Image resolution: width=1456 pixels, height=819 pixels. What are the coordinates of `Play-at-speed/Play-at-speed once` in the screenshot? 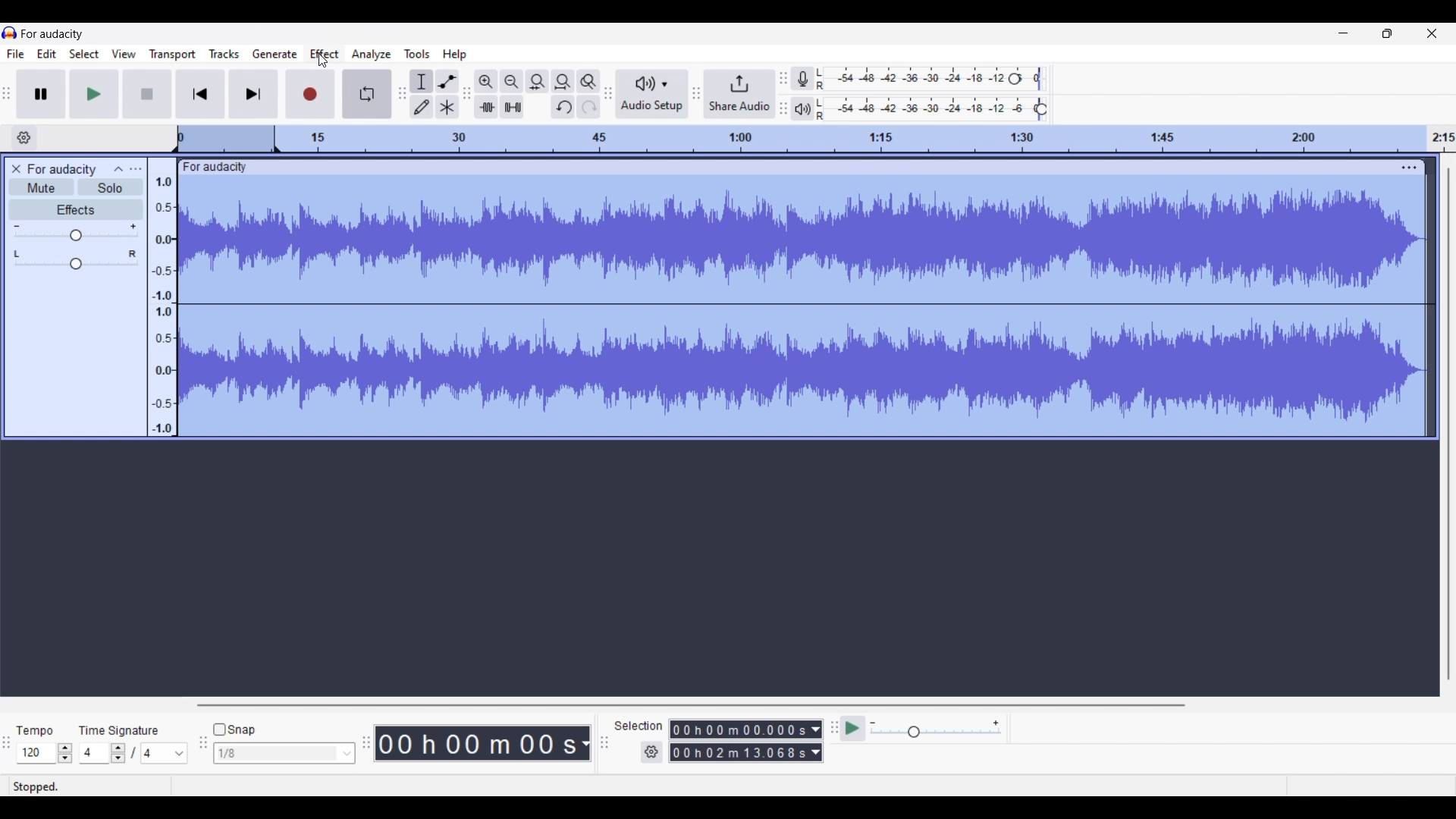 It's located at (854, 729).